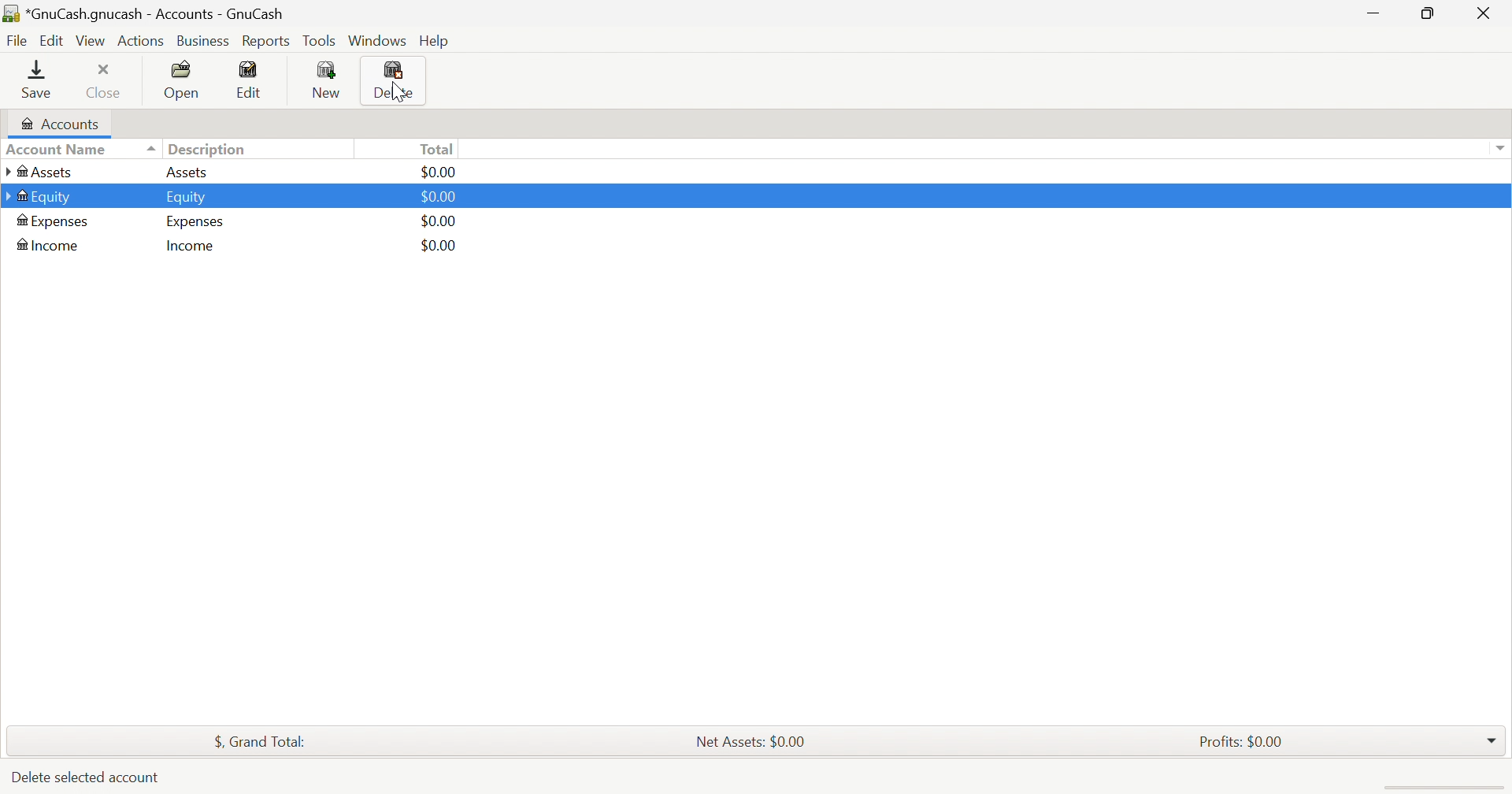 This screenshot has width=1512, height=794. Describe the element at coordinates (54, 41) in the screenshot. I see `Edit` at that location.